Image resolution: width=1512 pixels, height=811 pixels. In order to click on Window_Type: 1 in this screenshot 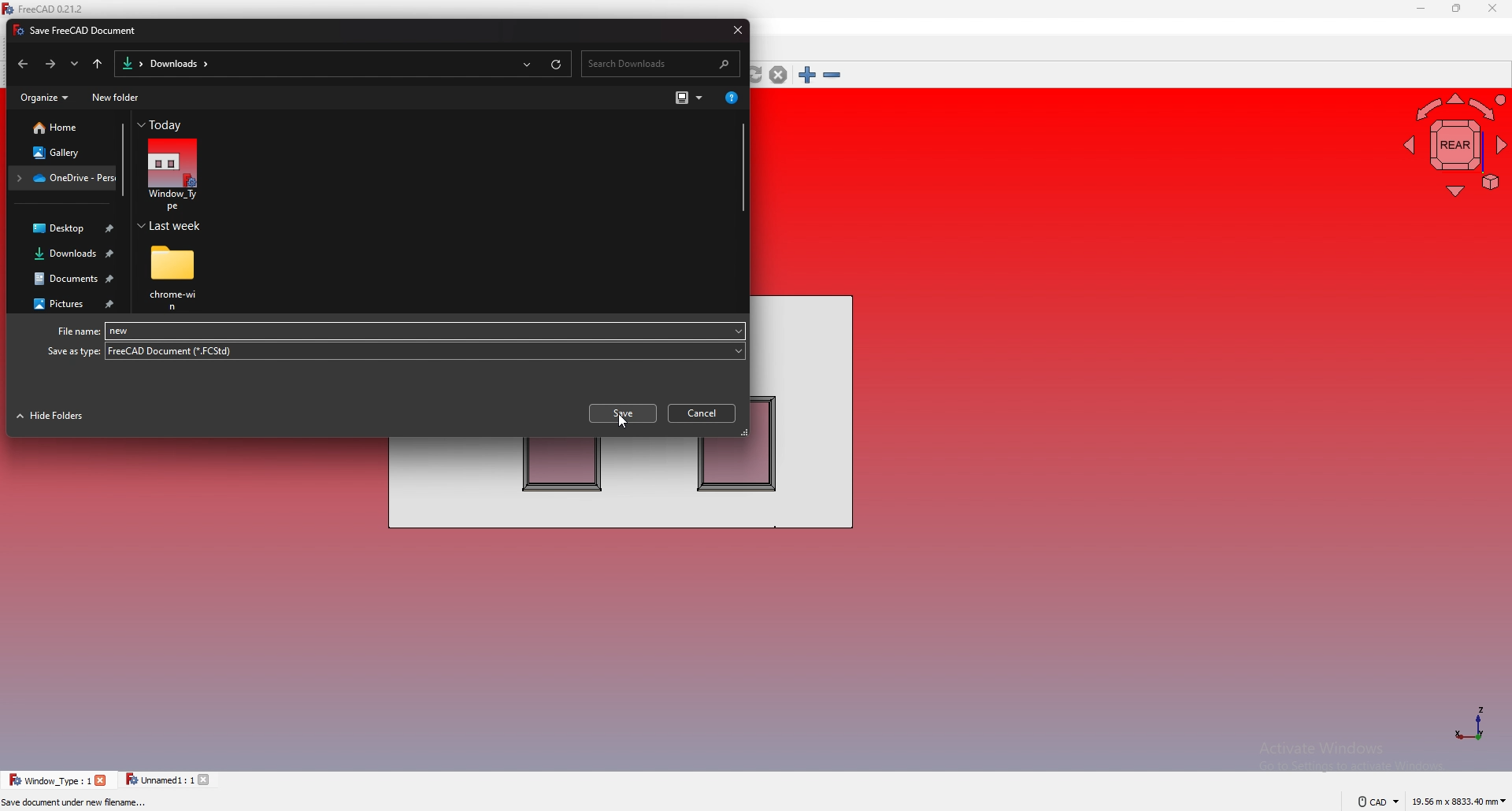, I will do `click(50, 780)`.